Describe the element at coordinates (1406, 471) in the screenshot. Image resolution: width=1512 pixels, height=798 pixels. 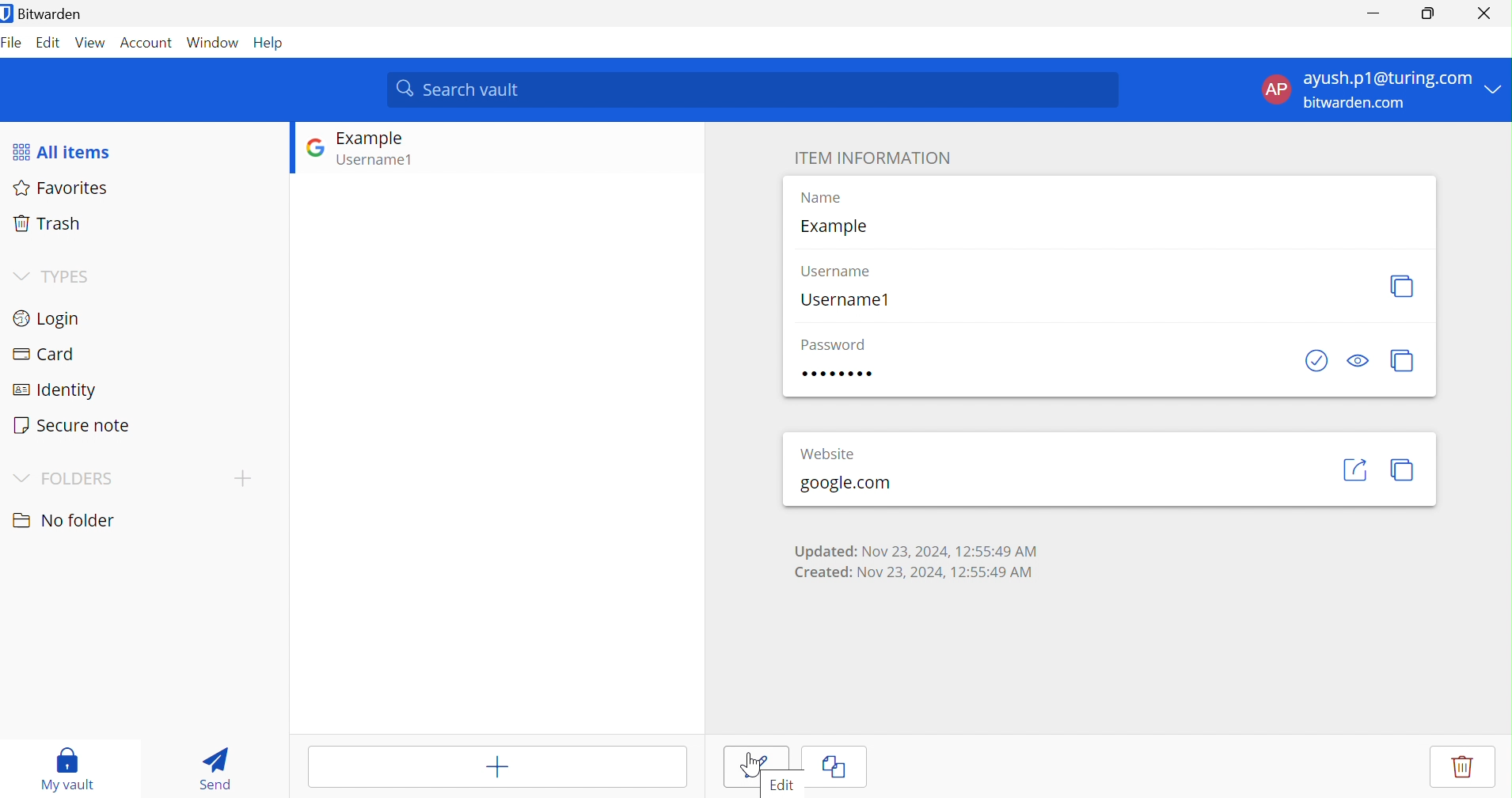
I see `Copy URI` at that location.